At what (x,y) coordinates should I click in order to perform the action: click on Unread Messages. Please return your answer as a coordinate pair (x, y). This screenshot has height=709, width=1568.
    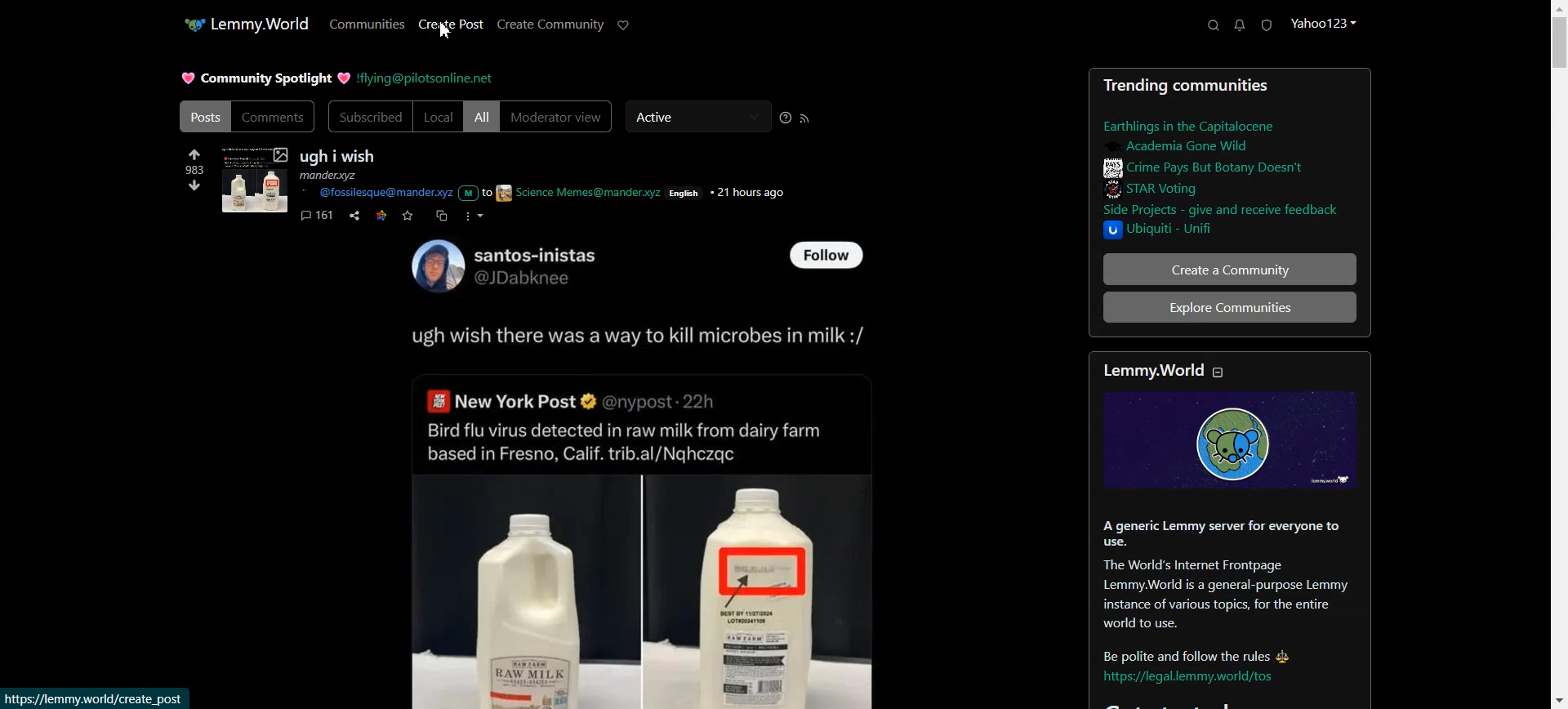
    Looking at the image, I should click on (1240, 25).